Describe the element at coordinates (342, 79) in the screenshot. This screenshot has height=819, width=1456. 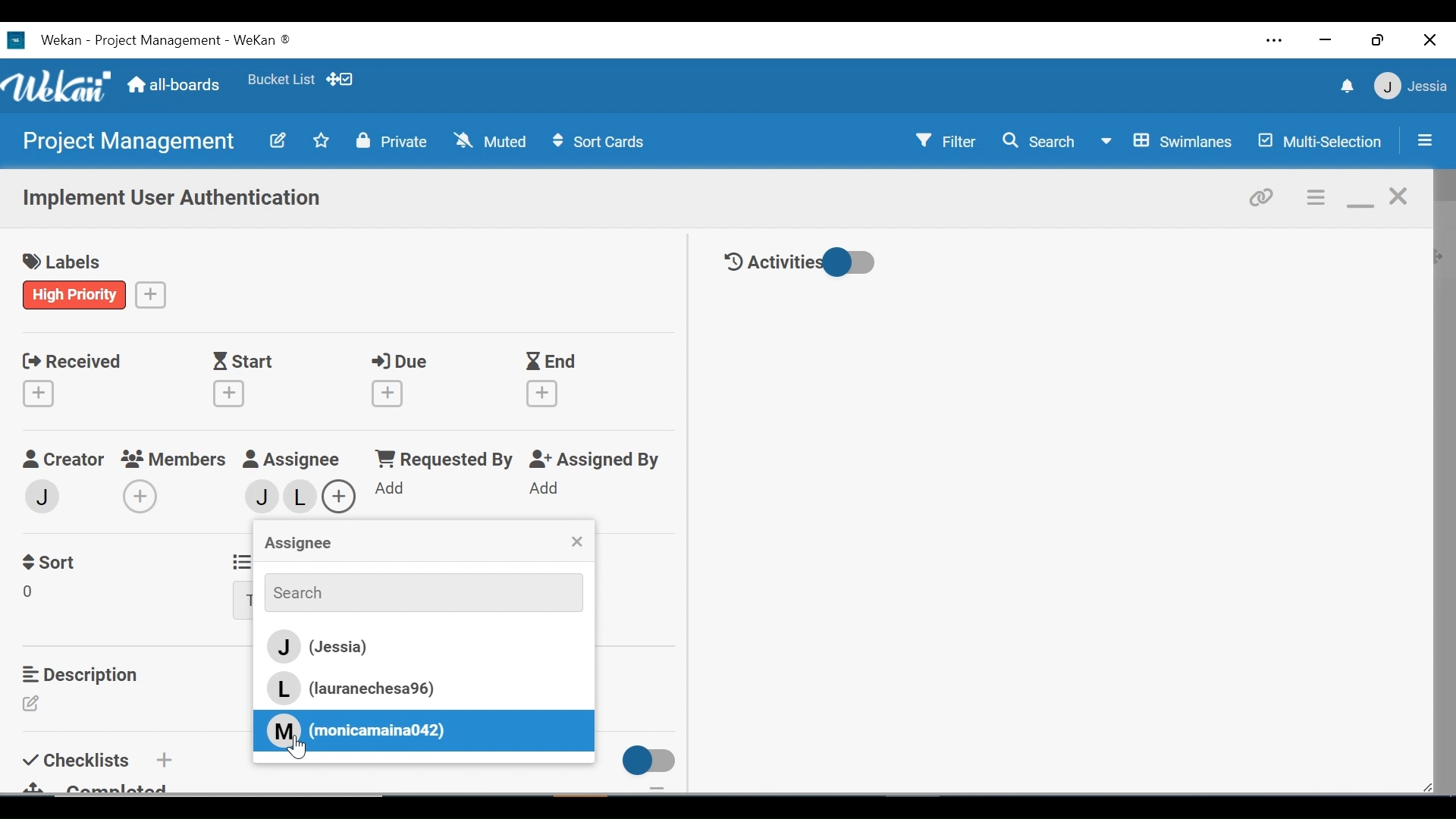
I see `Show Desktop drag handles` at that location.